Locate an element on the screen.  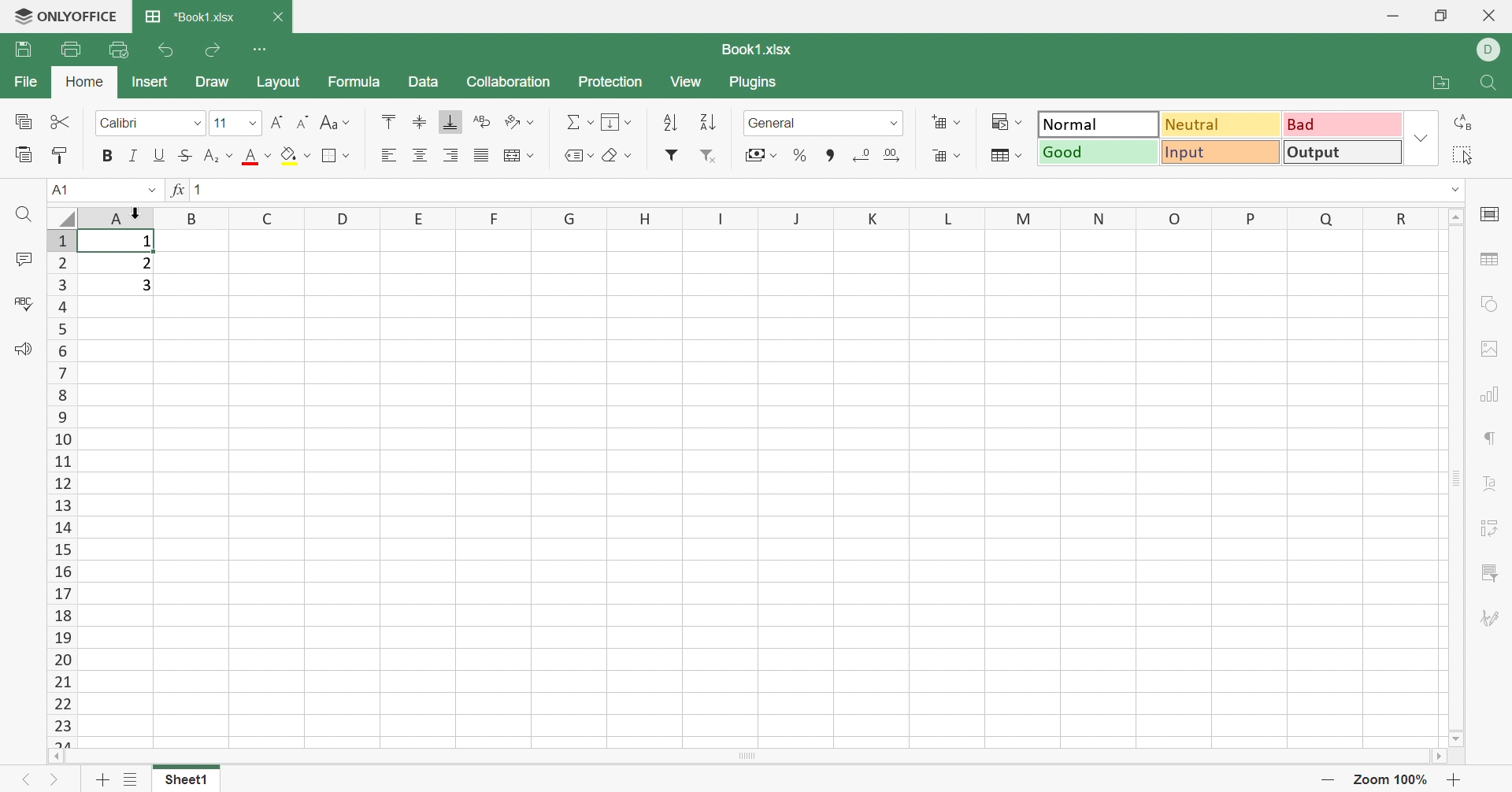
Home is located at coordinates (85, 81).